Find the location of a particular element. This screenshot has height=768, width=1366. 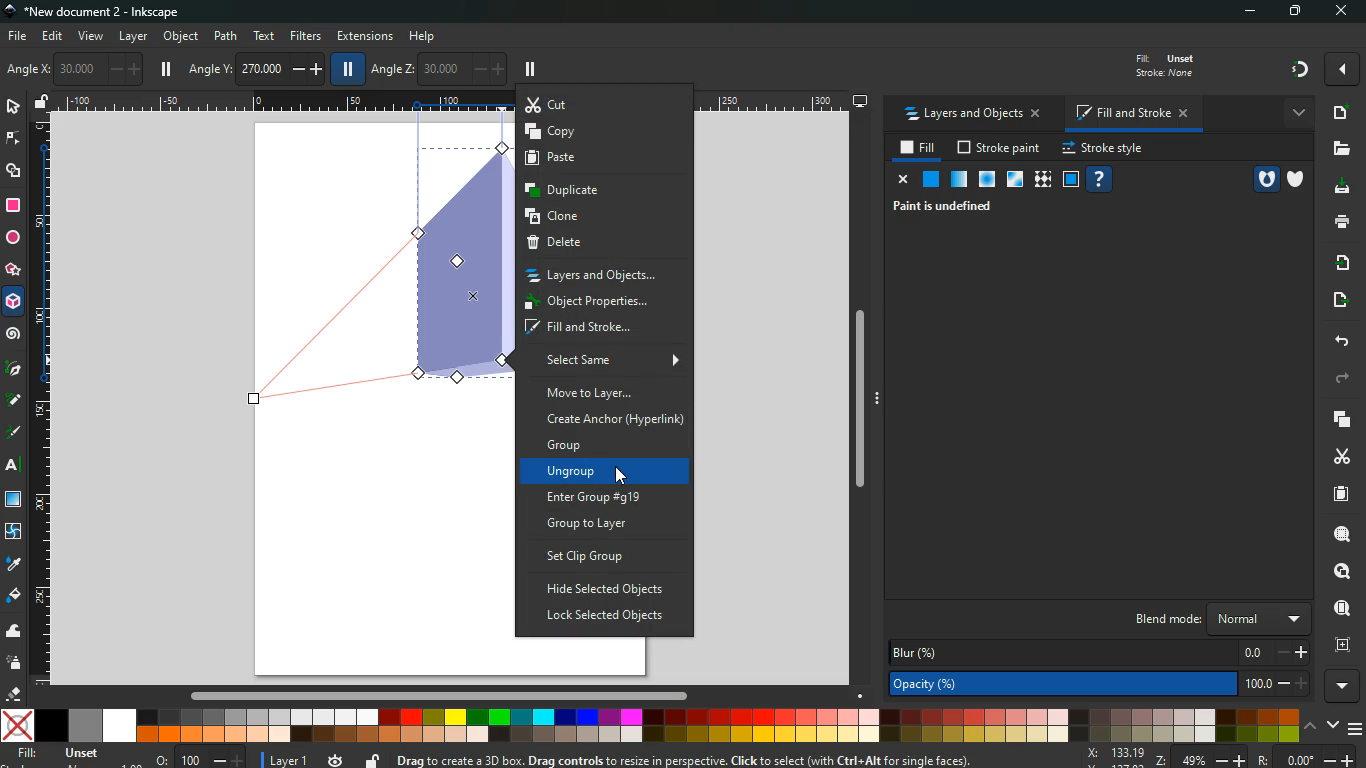

message is located at coordinates (729, 759).